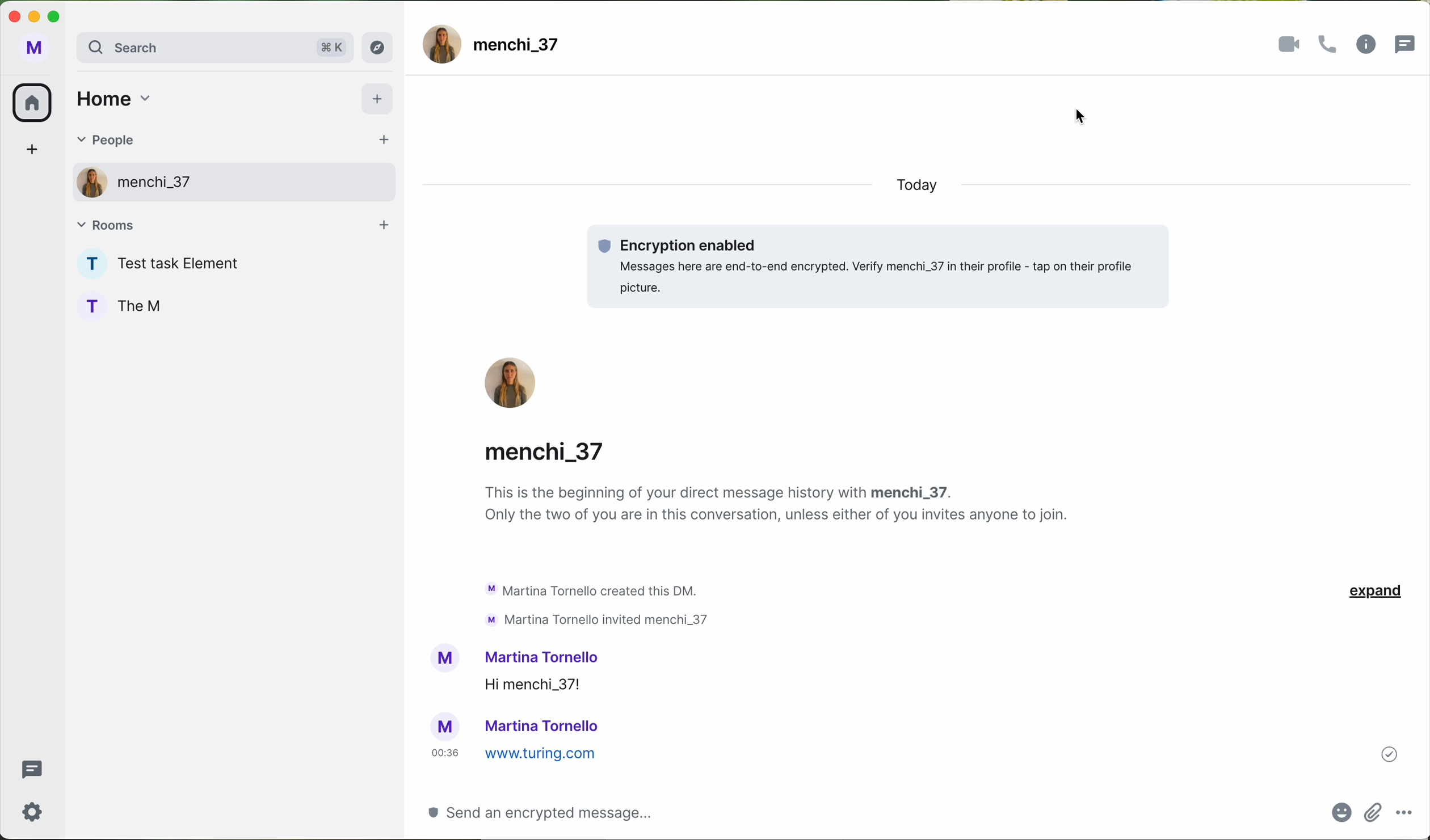 This screenshot has height=840, width=1430. Describe the element at coordinates (447, 724) in the screenshot. I see `user` at that location.